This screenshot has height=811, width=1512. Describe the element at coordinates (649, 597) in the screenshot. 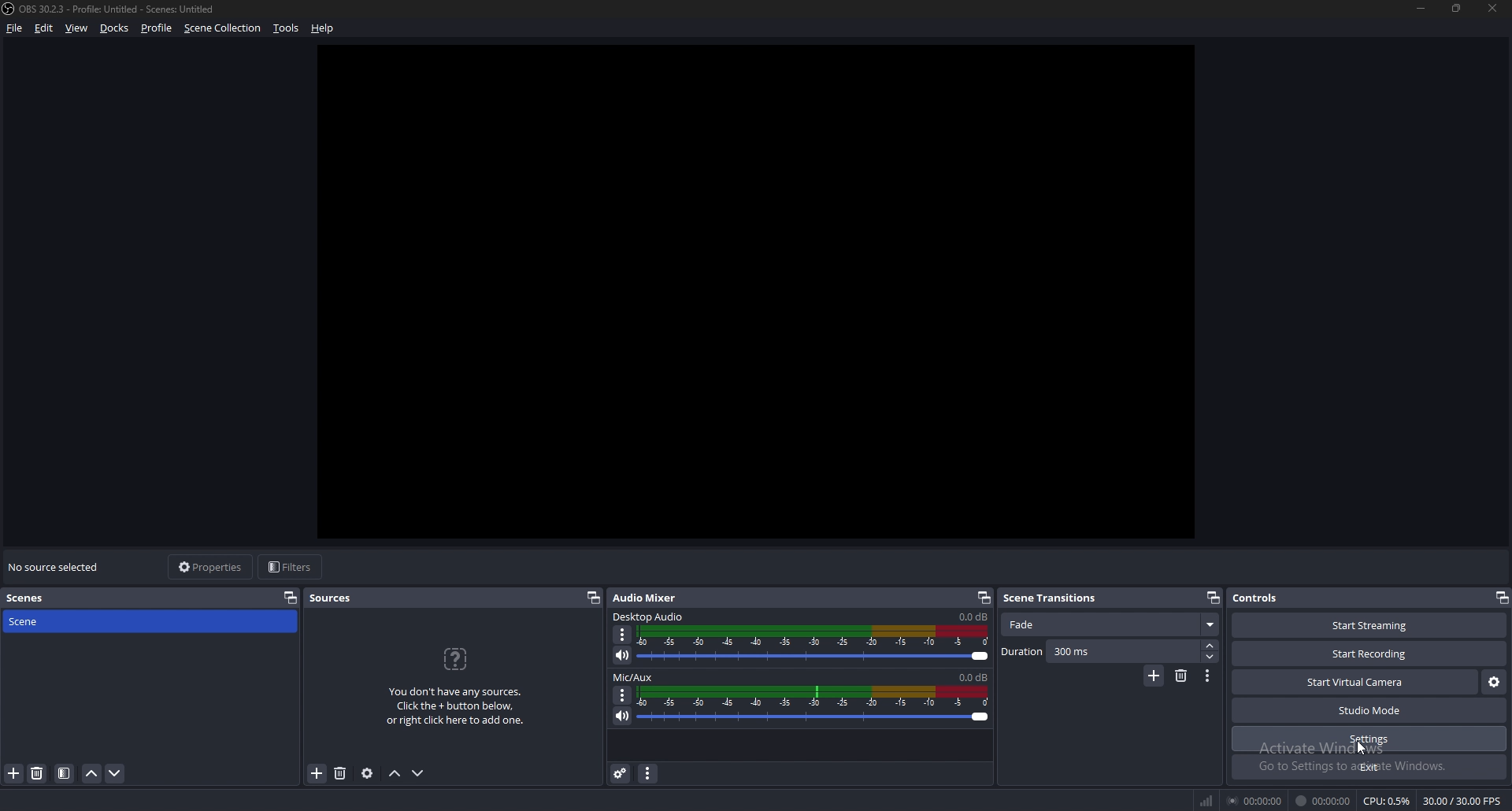

I see `audio mixer` at that location.